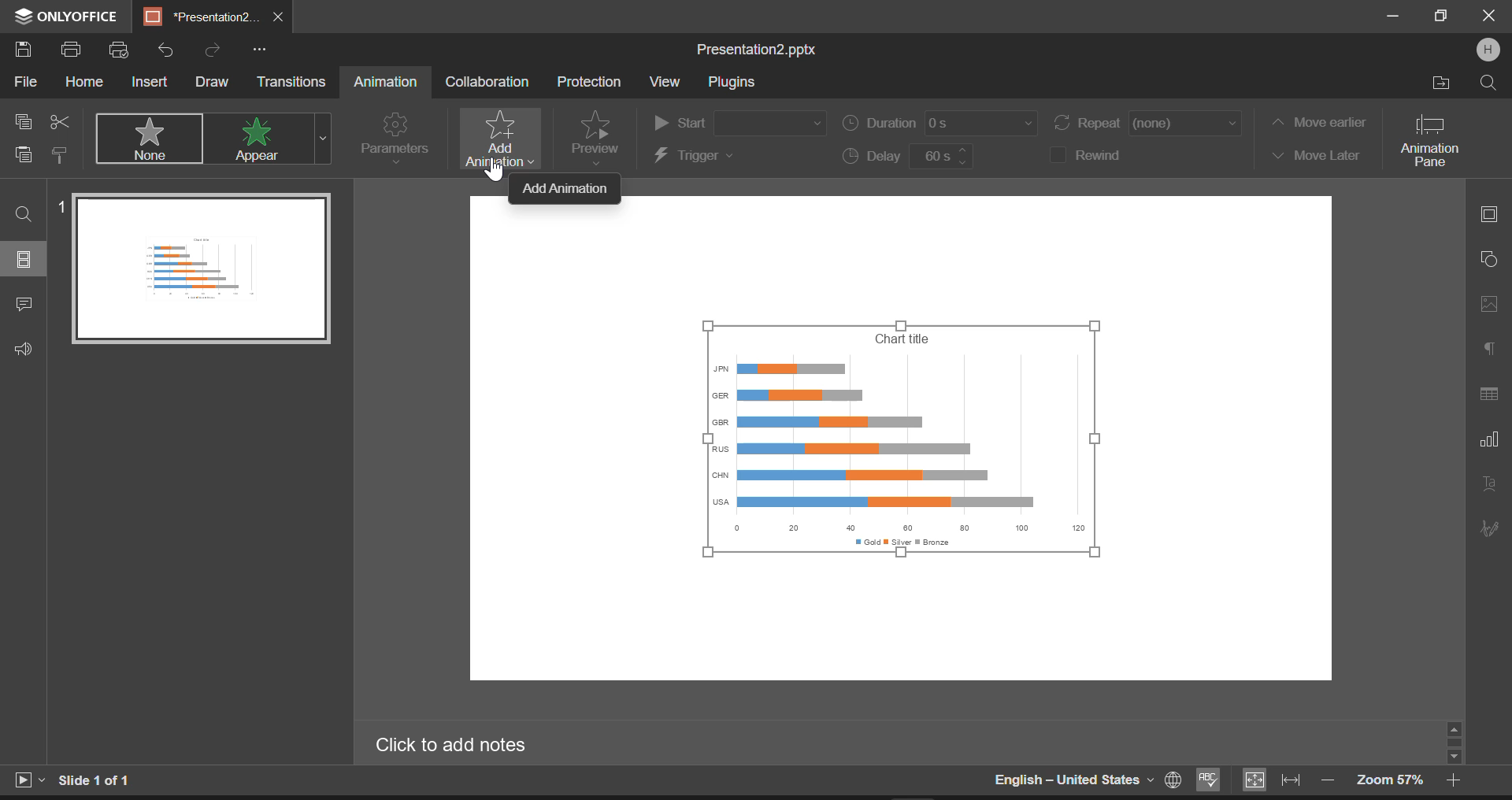 The width and height of the screenshot is (1512, 800). I want to click on Search, so click(1487, 82).